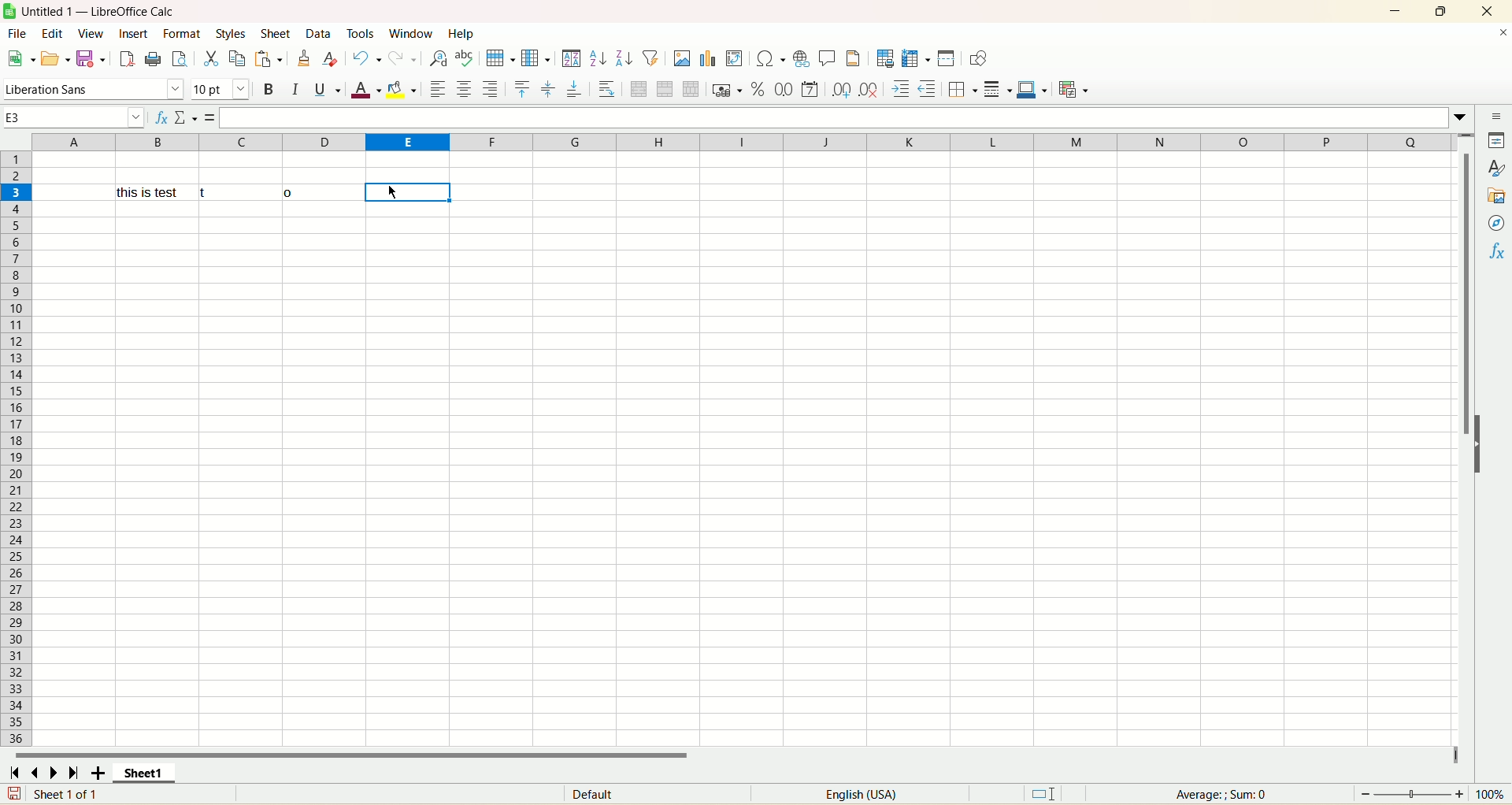 This screenshot has width=1512, height=805. I want to click on window, so click(407, 32).